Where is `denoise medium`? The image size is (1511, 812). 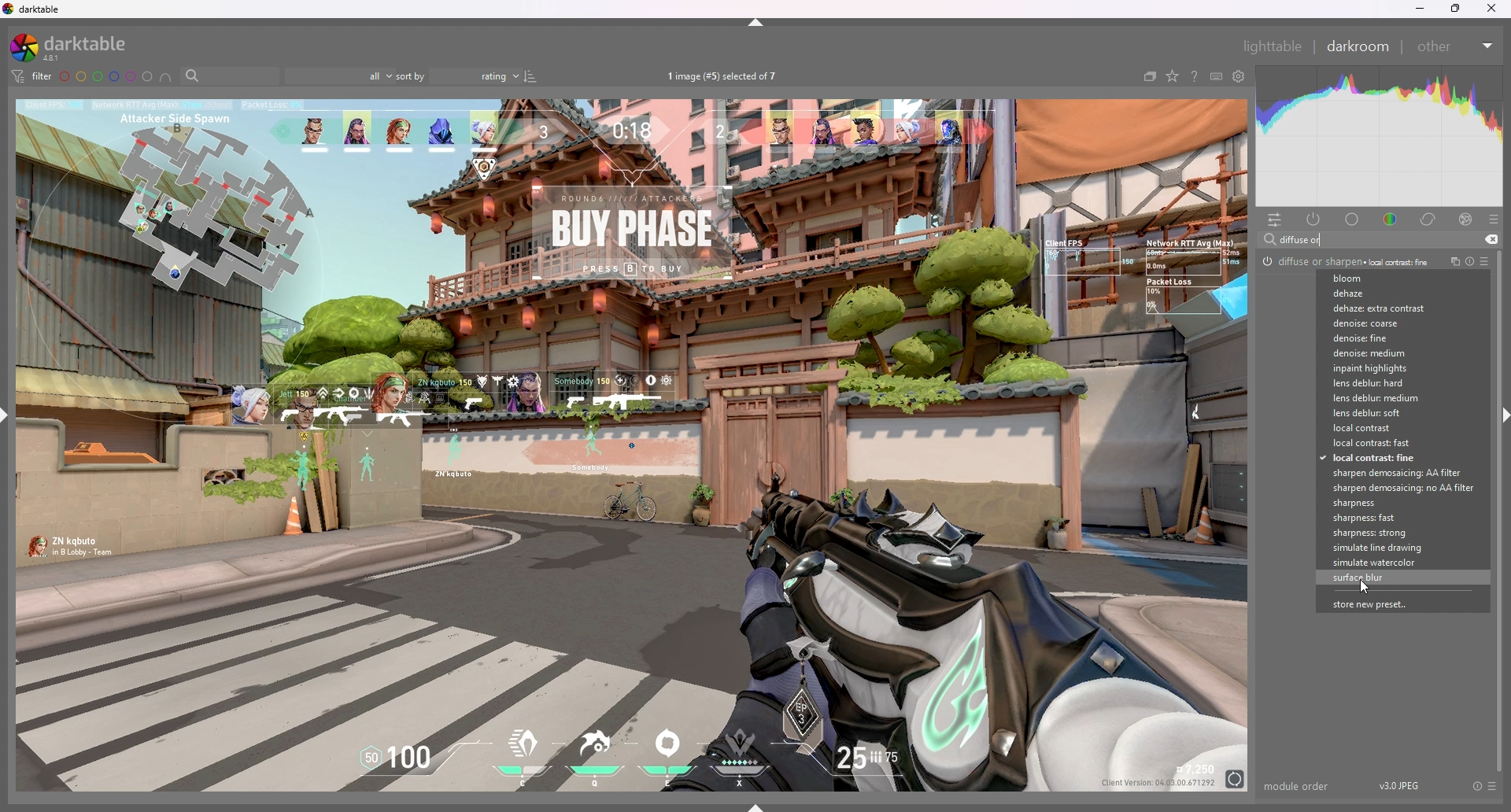 denoise medium is located at coordinates (1392, 353).